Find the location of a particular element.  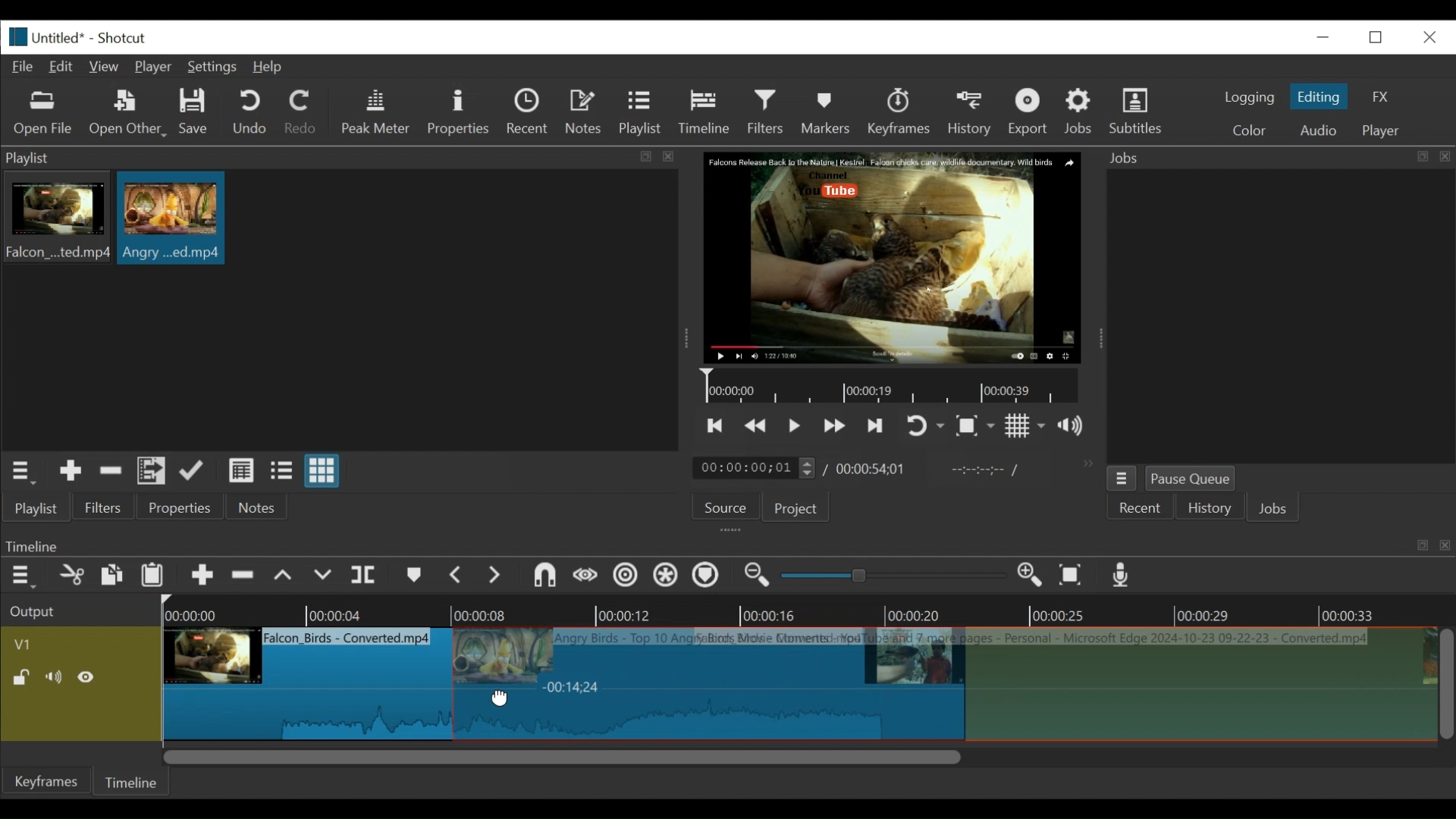

Shotcut logo is located at coordinates (14, 35).